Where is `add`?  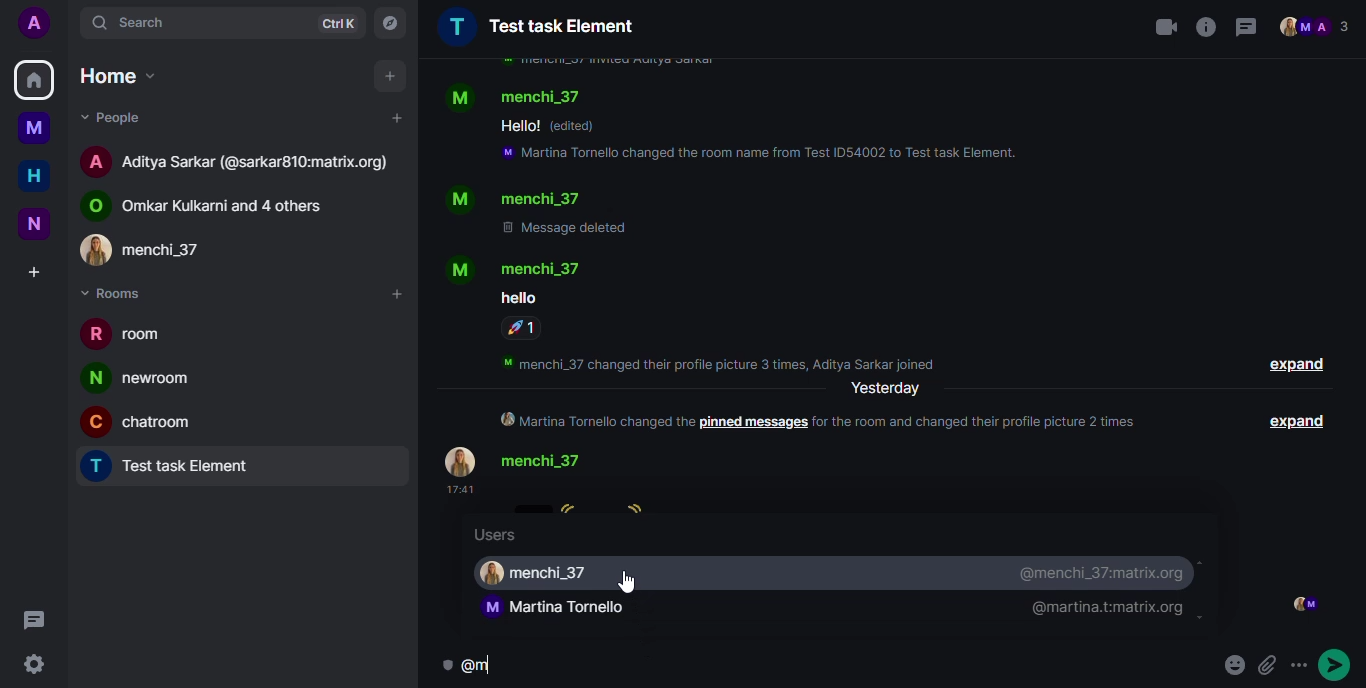
add is located at coordinates (391, 76).